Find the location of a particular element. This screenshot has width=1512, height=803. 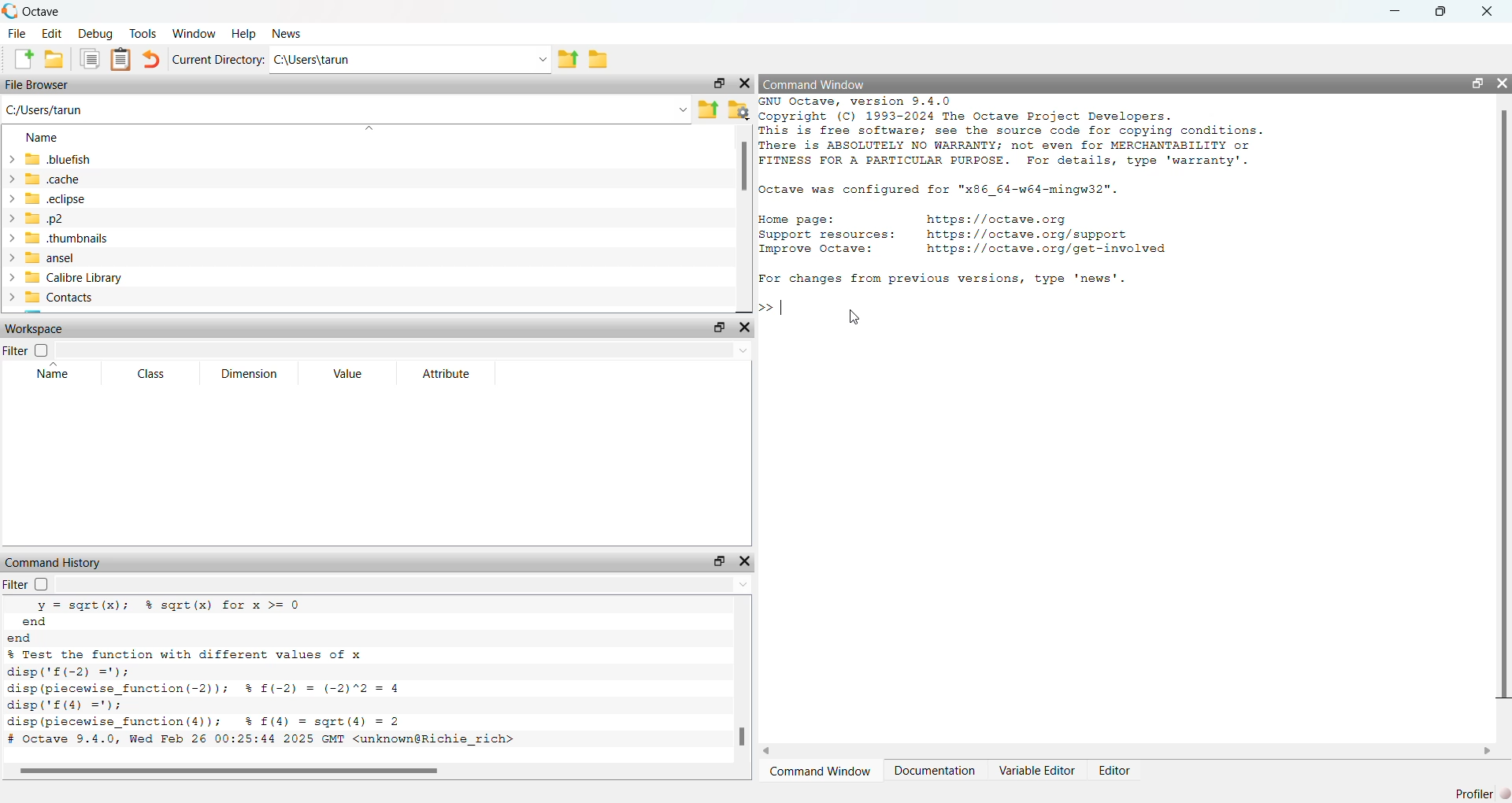

Maximize/Restore is located at coordinates (1471, 83).